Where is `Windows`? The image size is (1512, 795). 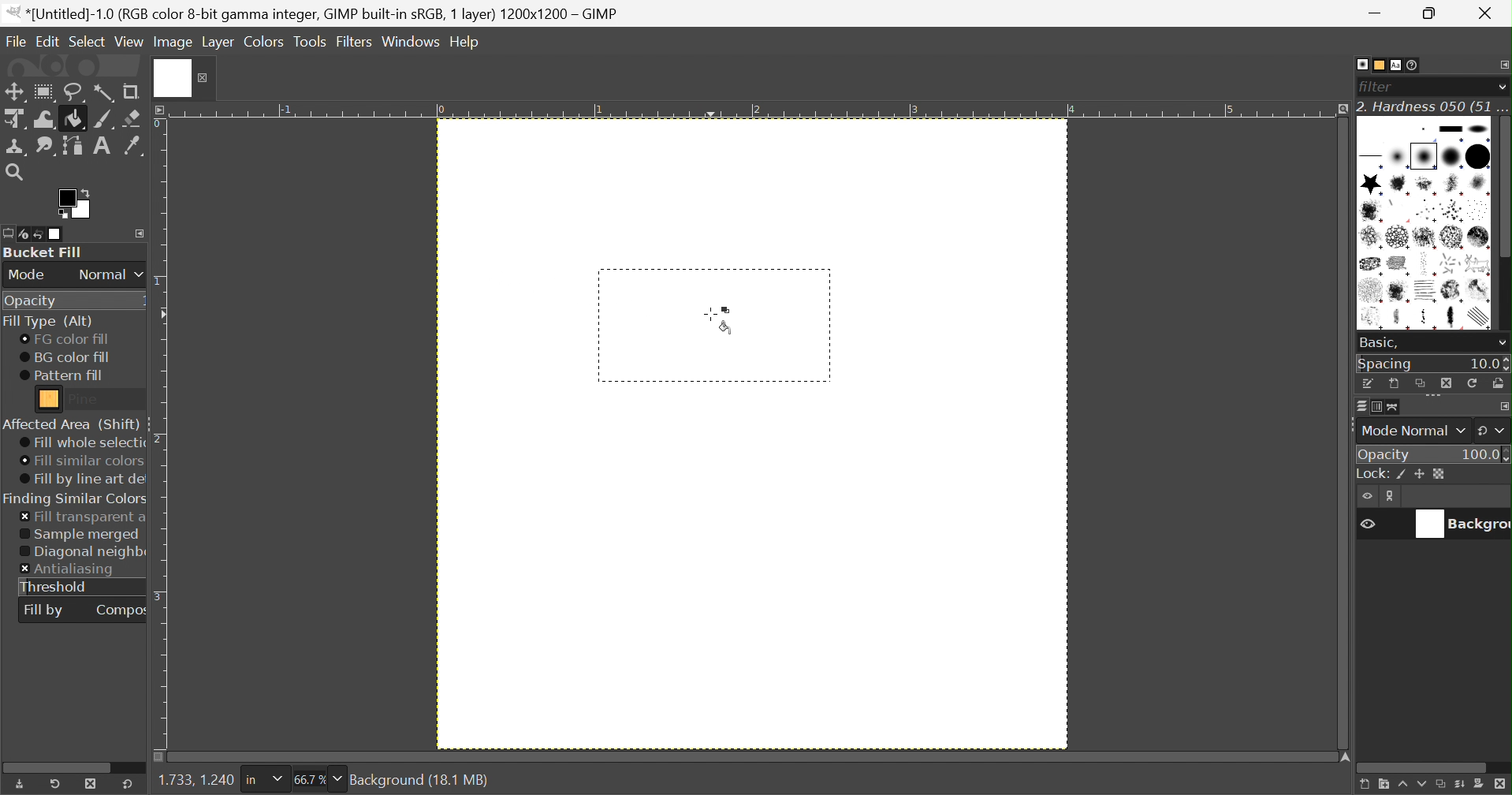
Windows is located at coordinates (410, 43).